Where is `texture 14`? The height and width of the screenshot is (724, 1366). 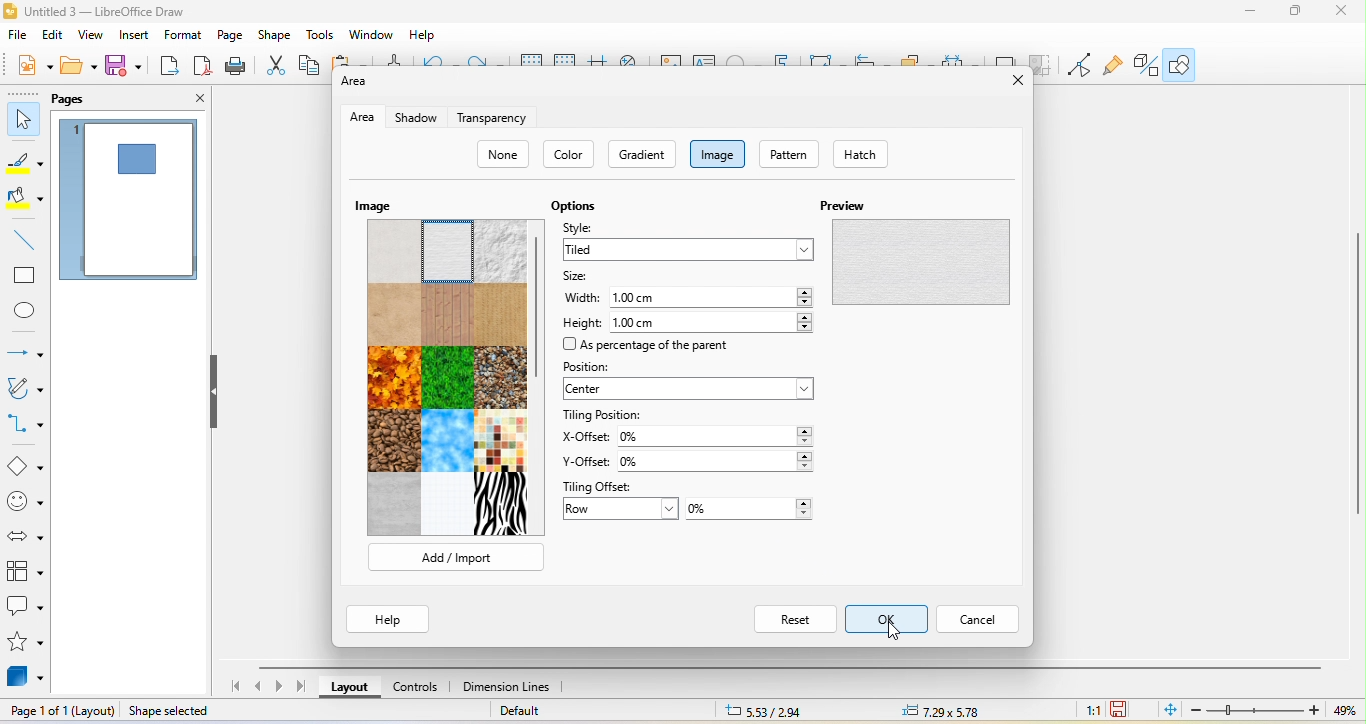 texture 14 is located at coordinates (448, 504).